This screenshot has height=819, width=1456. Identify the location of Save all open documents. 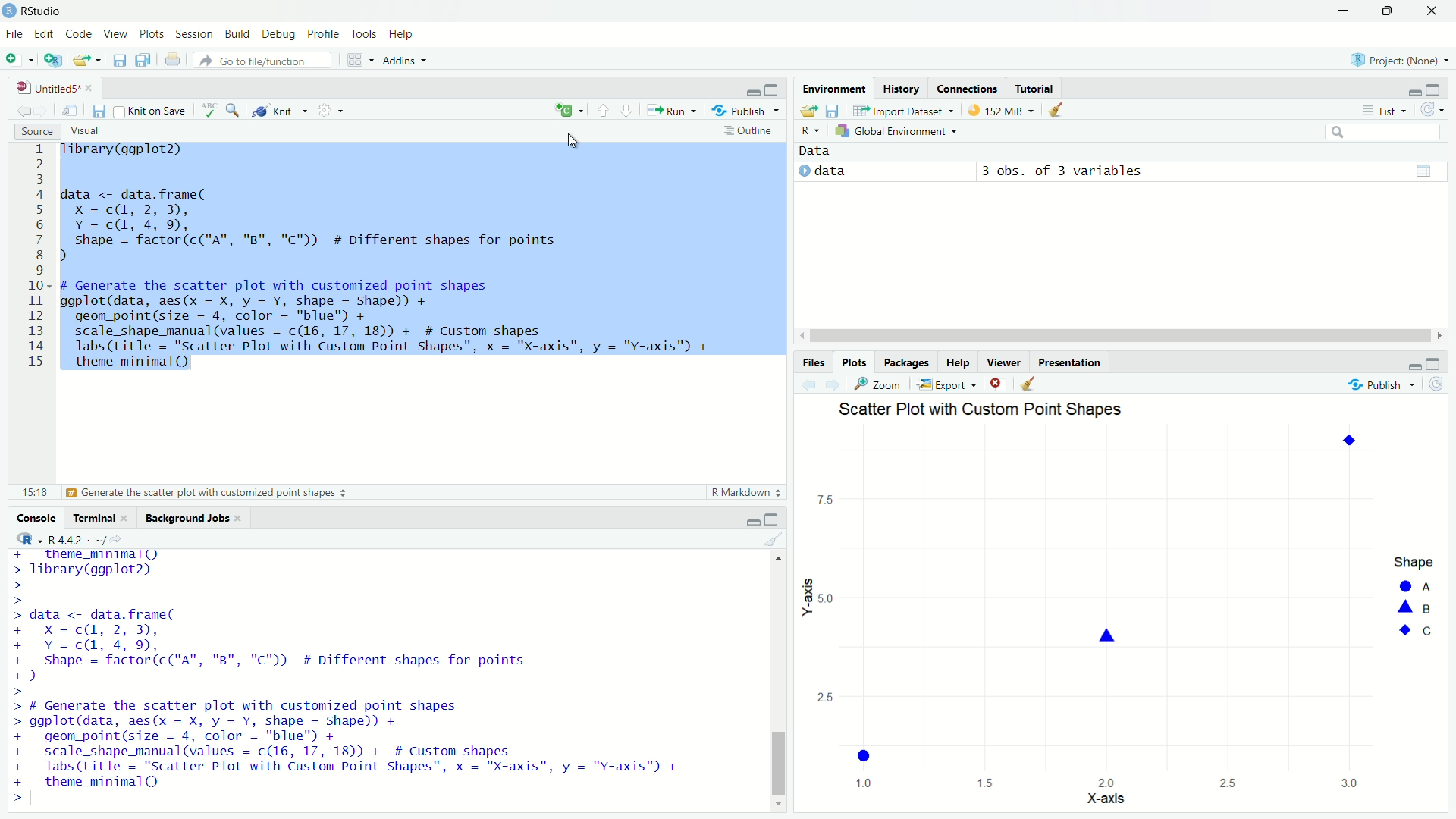
(143, 59).